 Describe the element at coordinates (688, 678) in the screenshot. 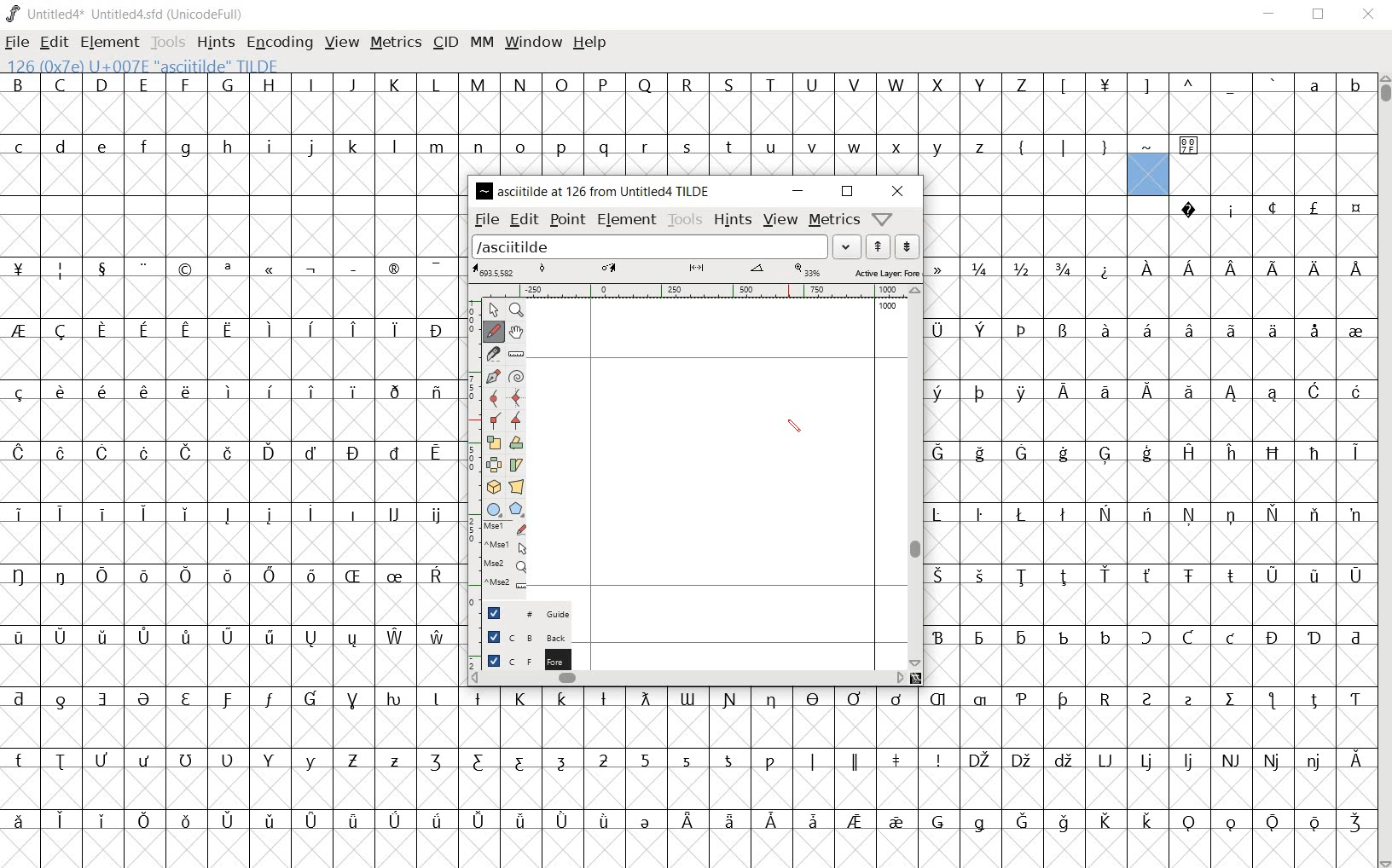

I see `scrollbar` at that location.